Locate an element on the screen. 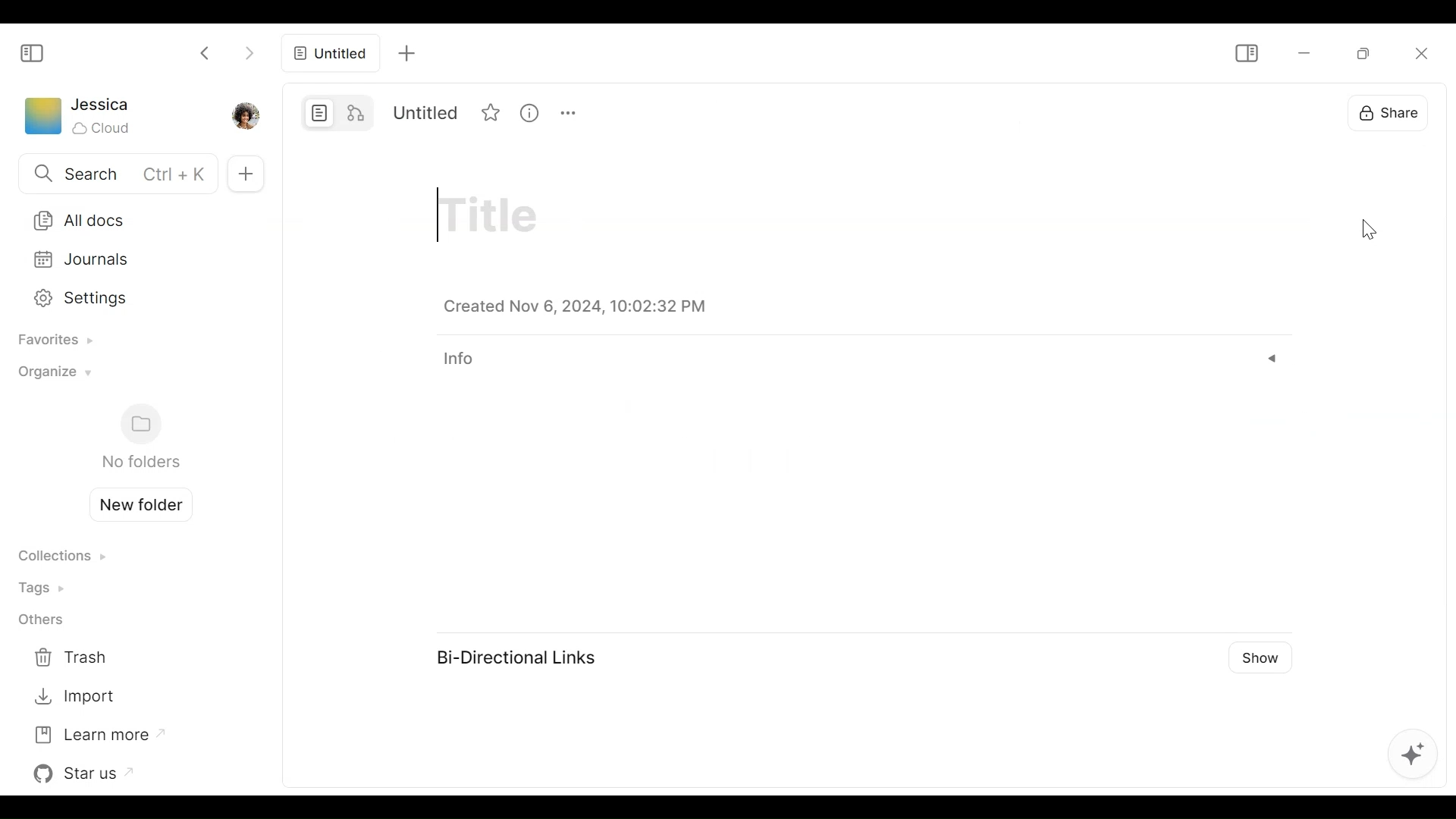 The height and width of the screenshot is (819, 1456). Others is located at coordinates (40, 621).